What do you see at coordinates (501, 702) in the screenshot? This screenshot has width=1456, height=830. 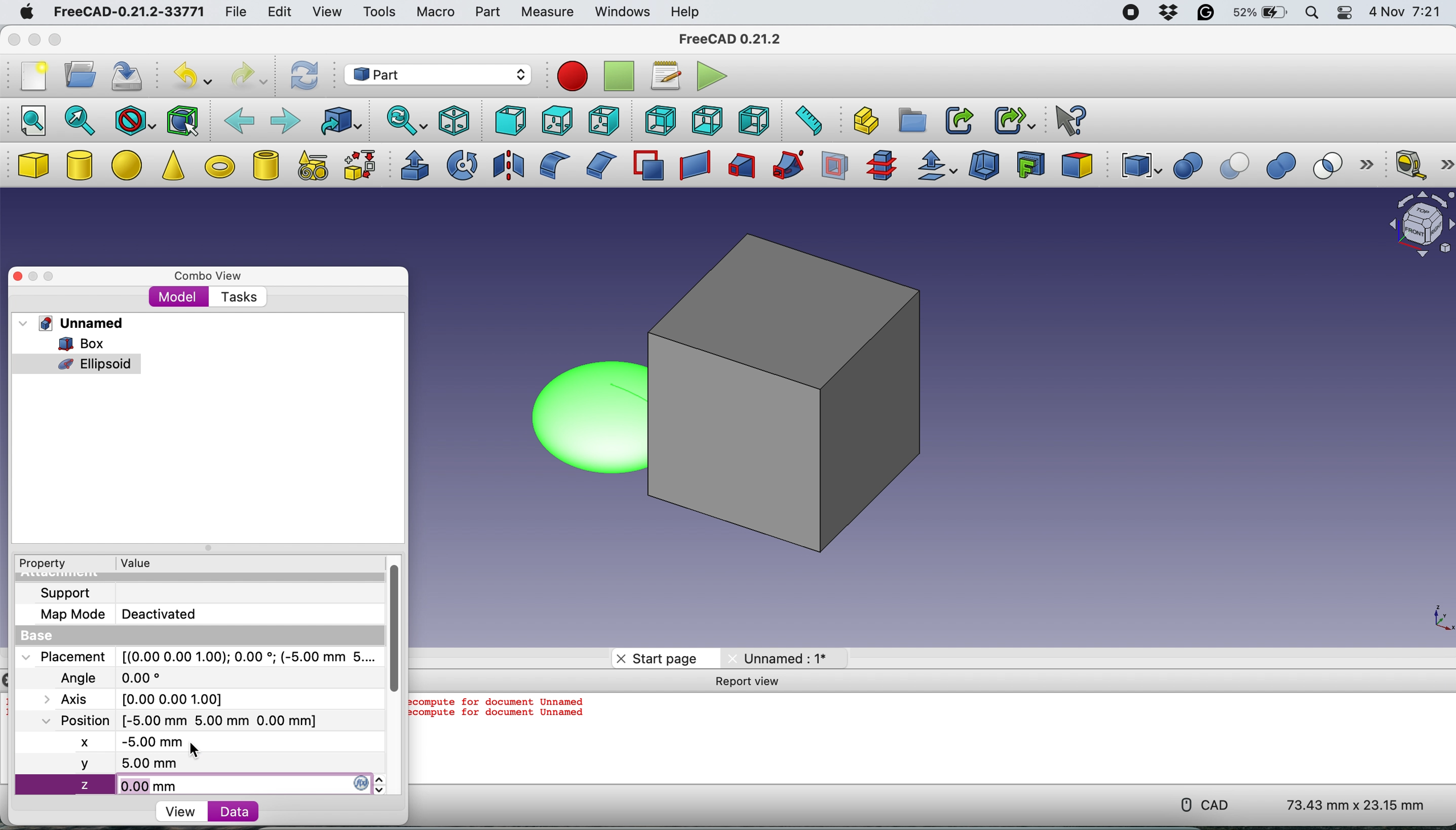 I see `ecompute for document Unnamed` at bounding box center [501, 702].